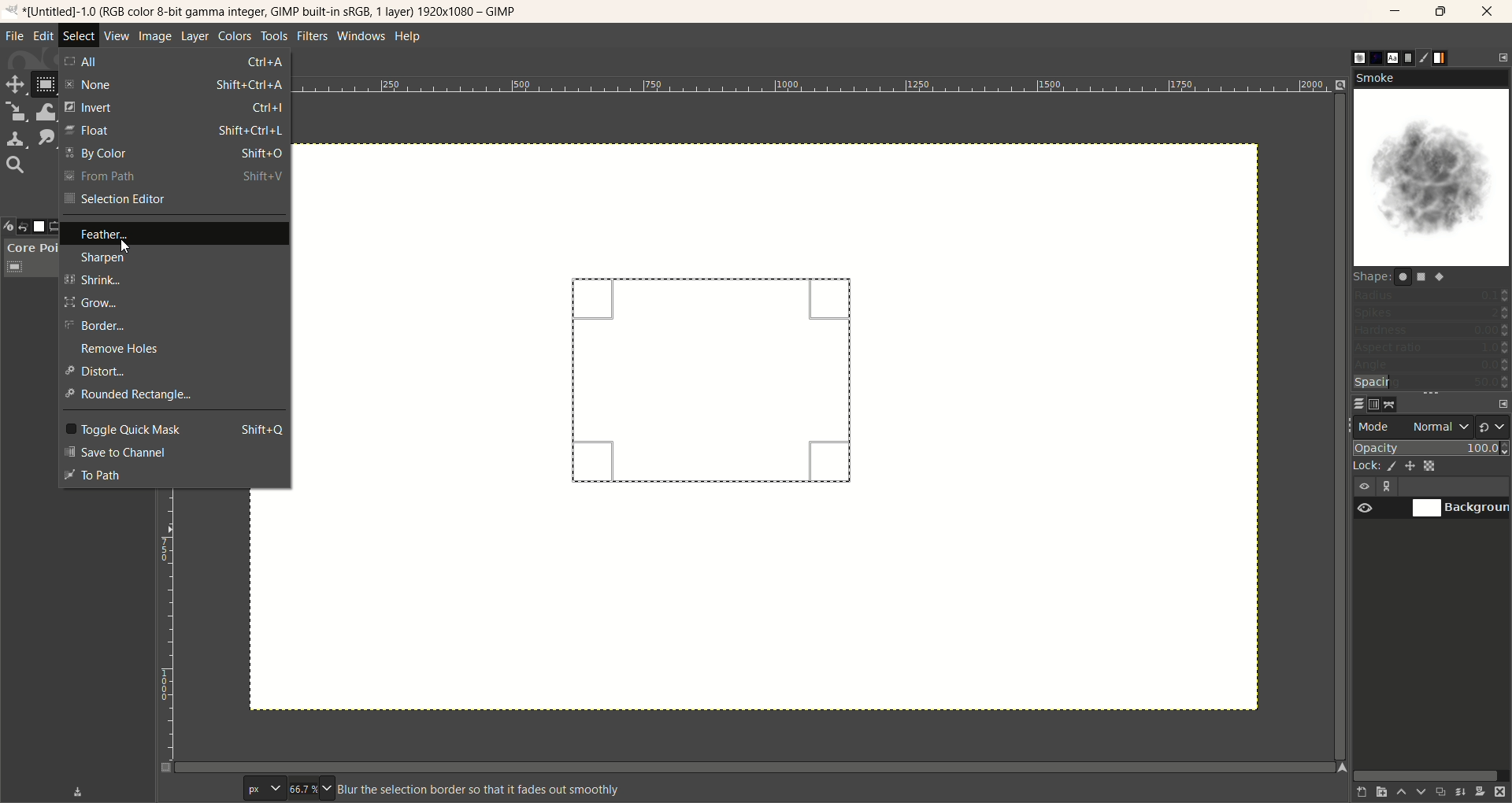 The width and height of the screenshot is (1512, 803). I want to click on maximize, so click(1442, 10).